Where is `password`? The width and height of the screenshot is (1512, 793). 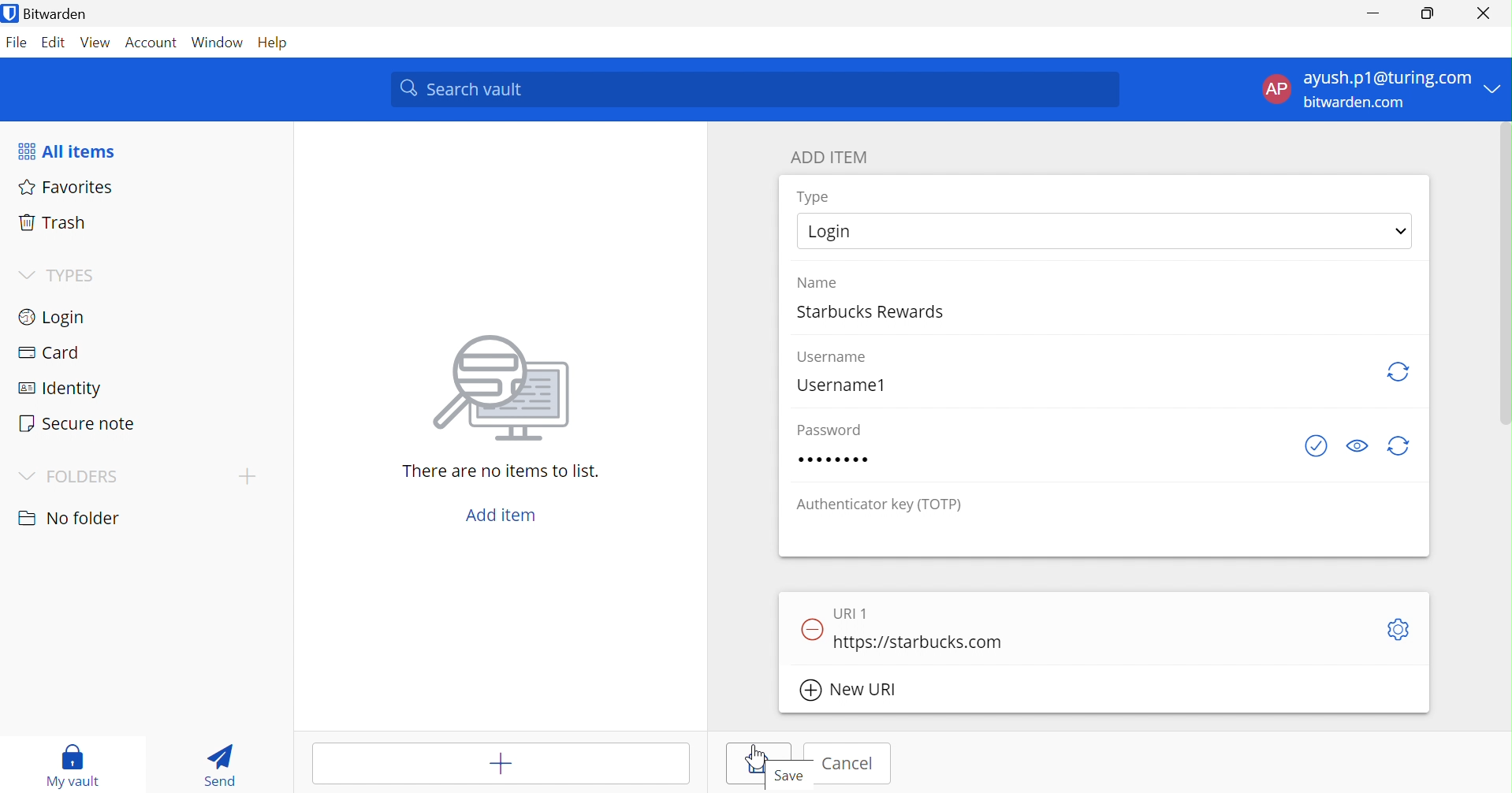 password is located at coordinates (839, 460).